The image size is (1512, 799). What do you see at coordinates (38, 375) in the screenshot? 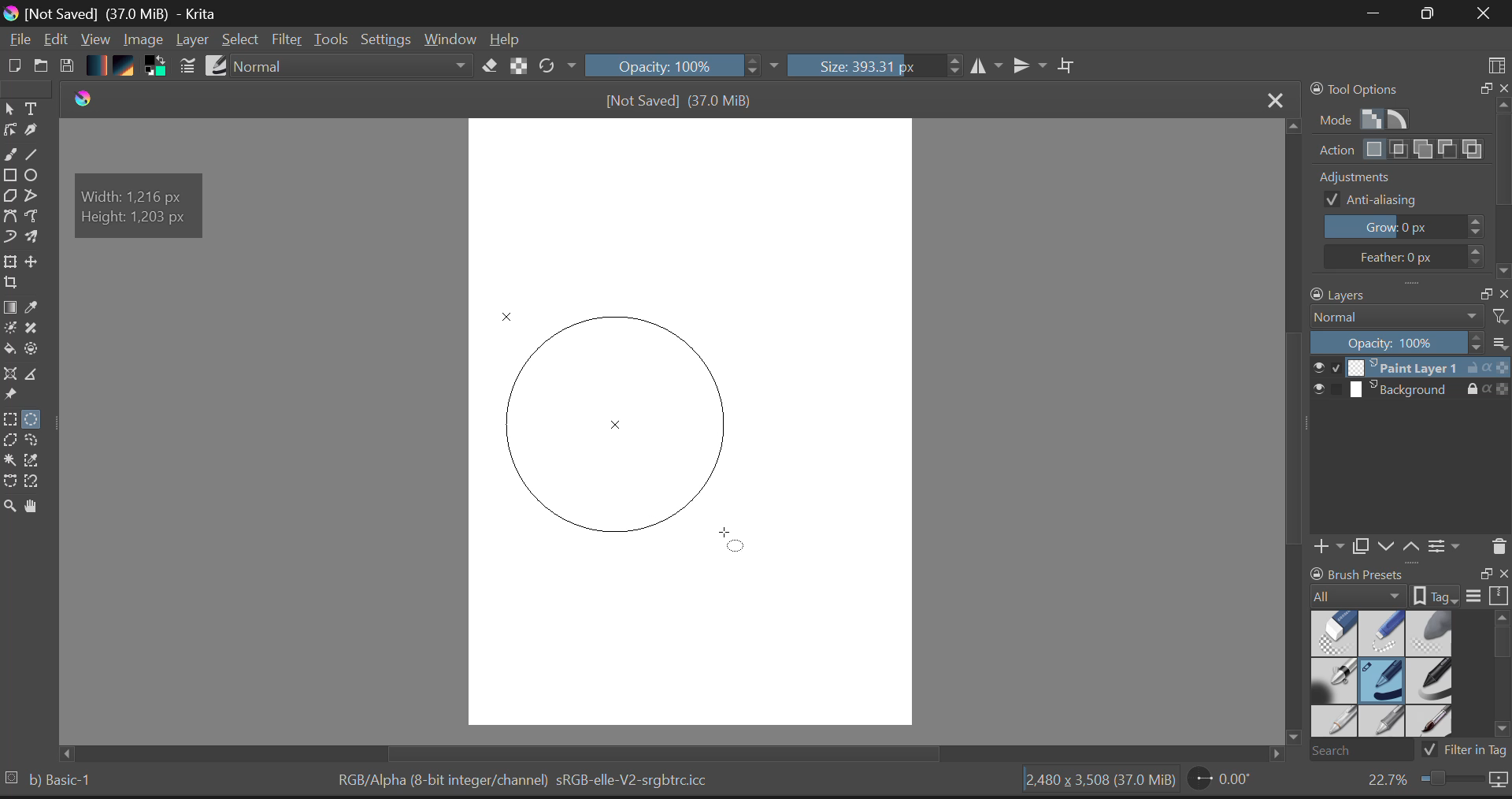
I see `Measurements` at bounding box center [38, 375].